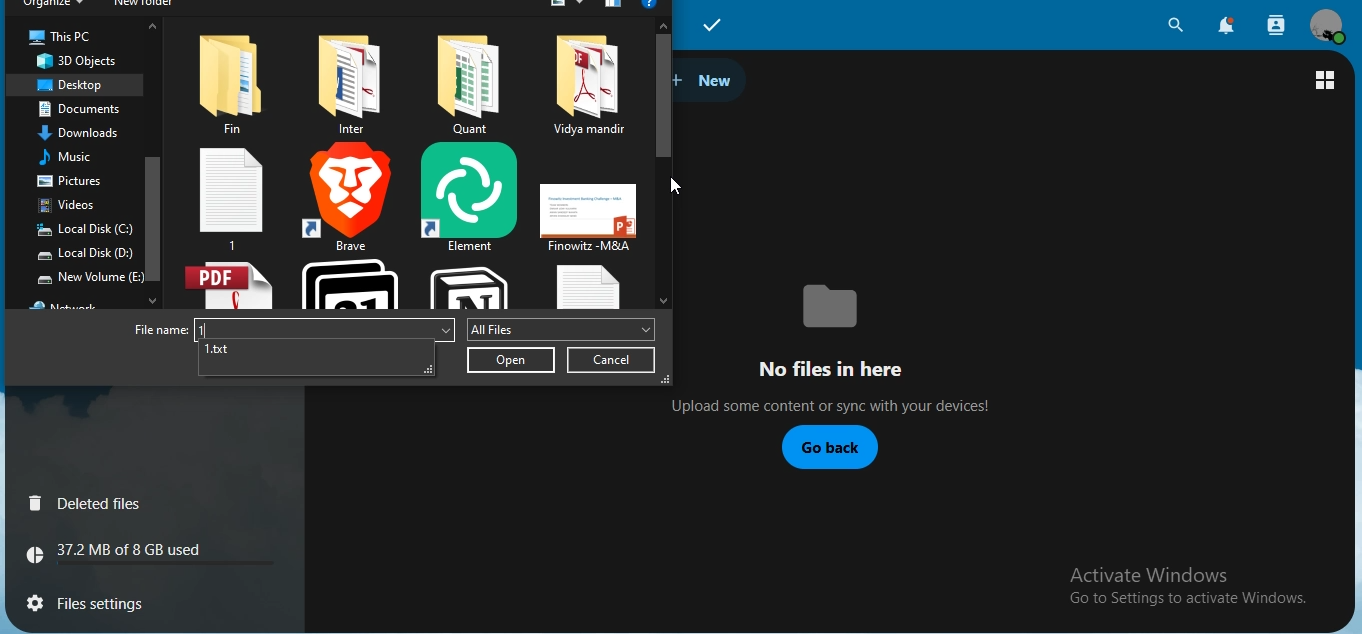 This screenshot has height=634, width=1362. What do you see at coordinates (70, 86) in the screenshot?
I see `desktop` at bounding box center [70, 86].